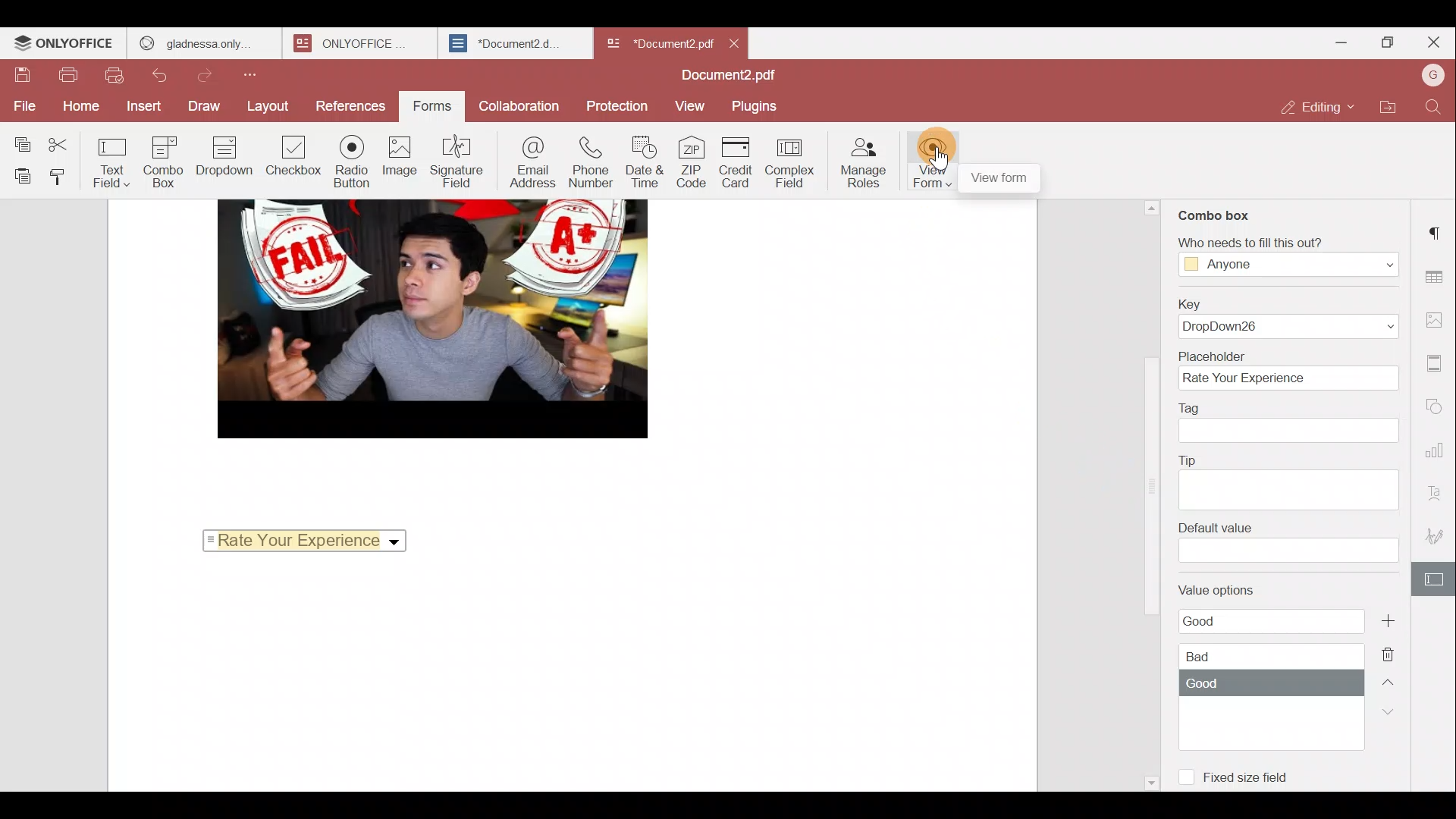 This screenshot has height=819, width=1456. Describe the element at coordinates (1437, 532) in the screenshot. I see `Signature settings` at that location.